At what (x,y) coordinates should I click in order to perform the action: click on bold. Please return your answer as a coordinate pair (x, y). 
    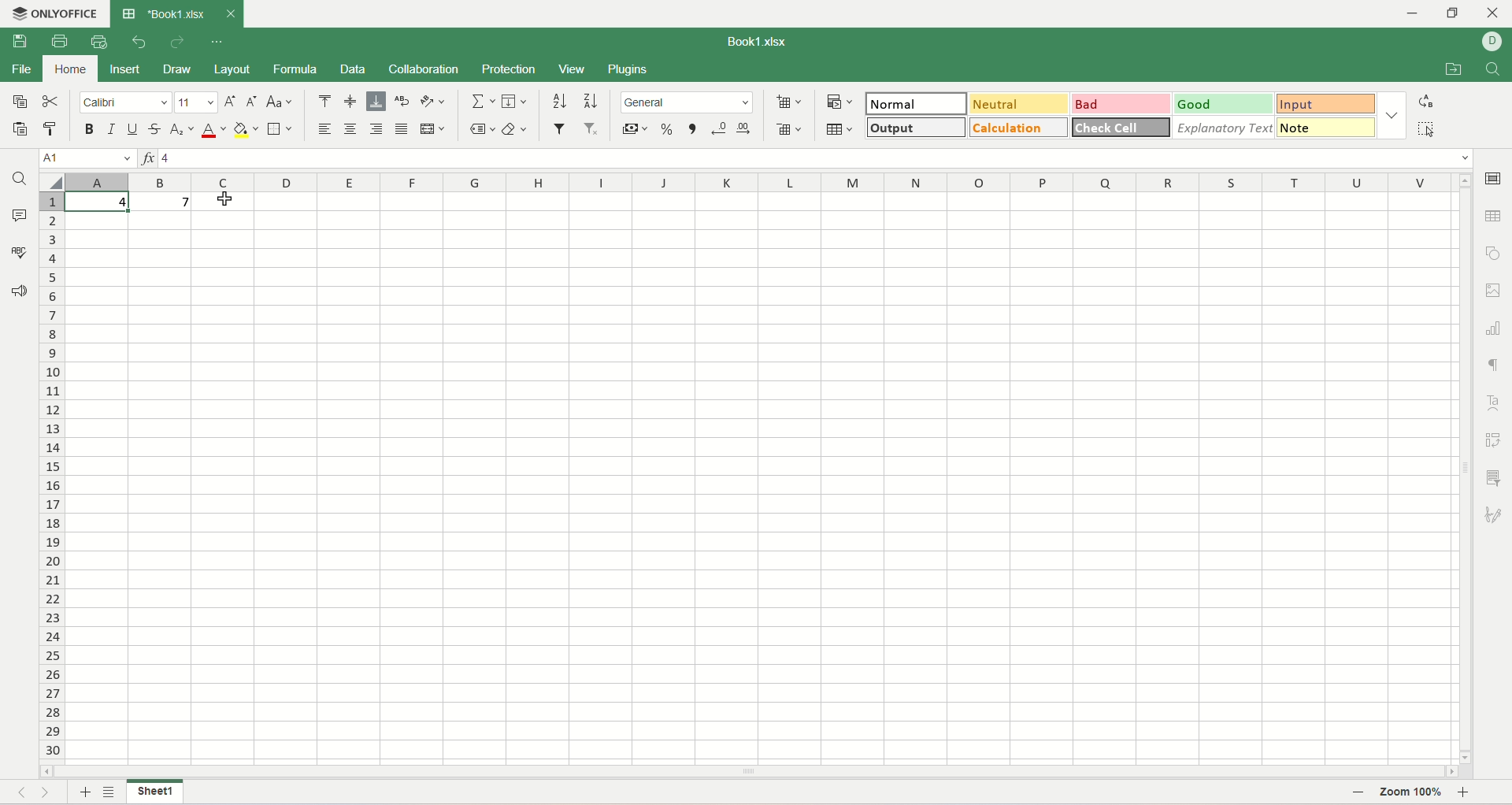
    Looking at the image, I should click on (90, 129).